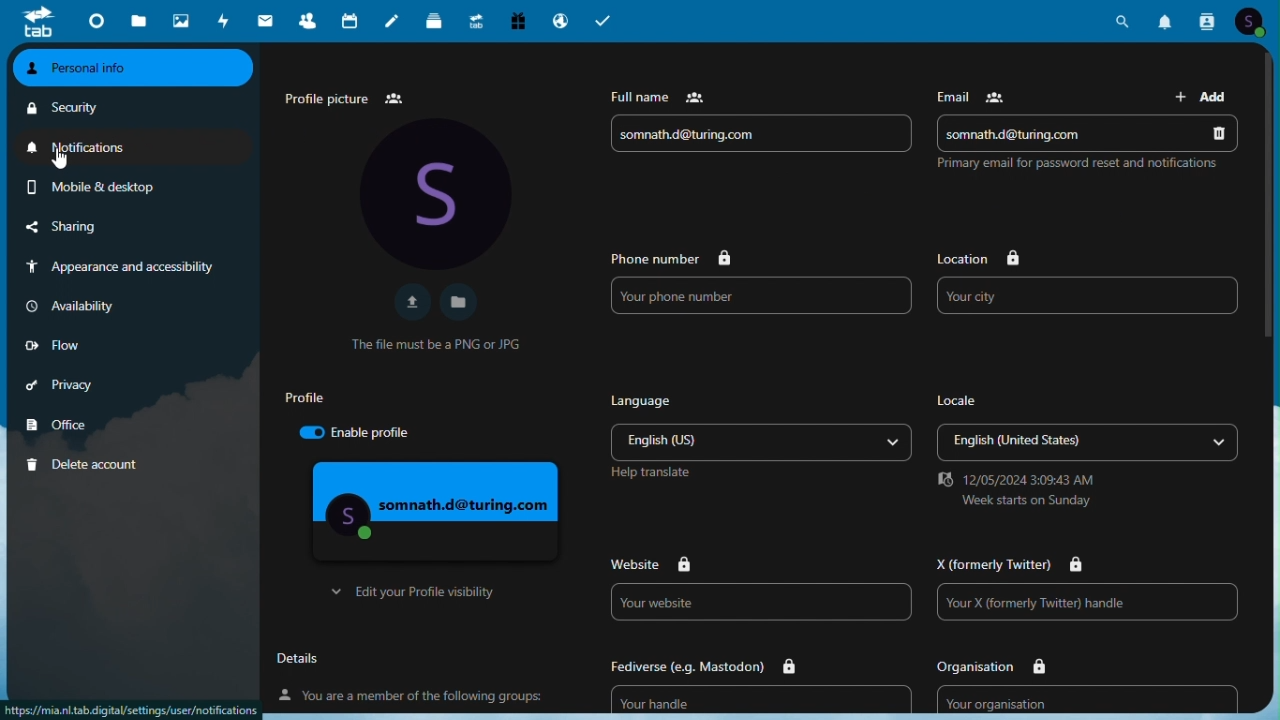 This screenshot has width=1280, height=720. What do you see at coordinates (140, 22) in the screenshot?
I see `Files` at bounding box center [140, 22].